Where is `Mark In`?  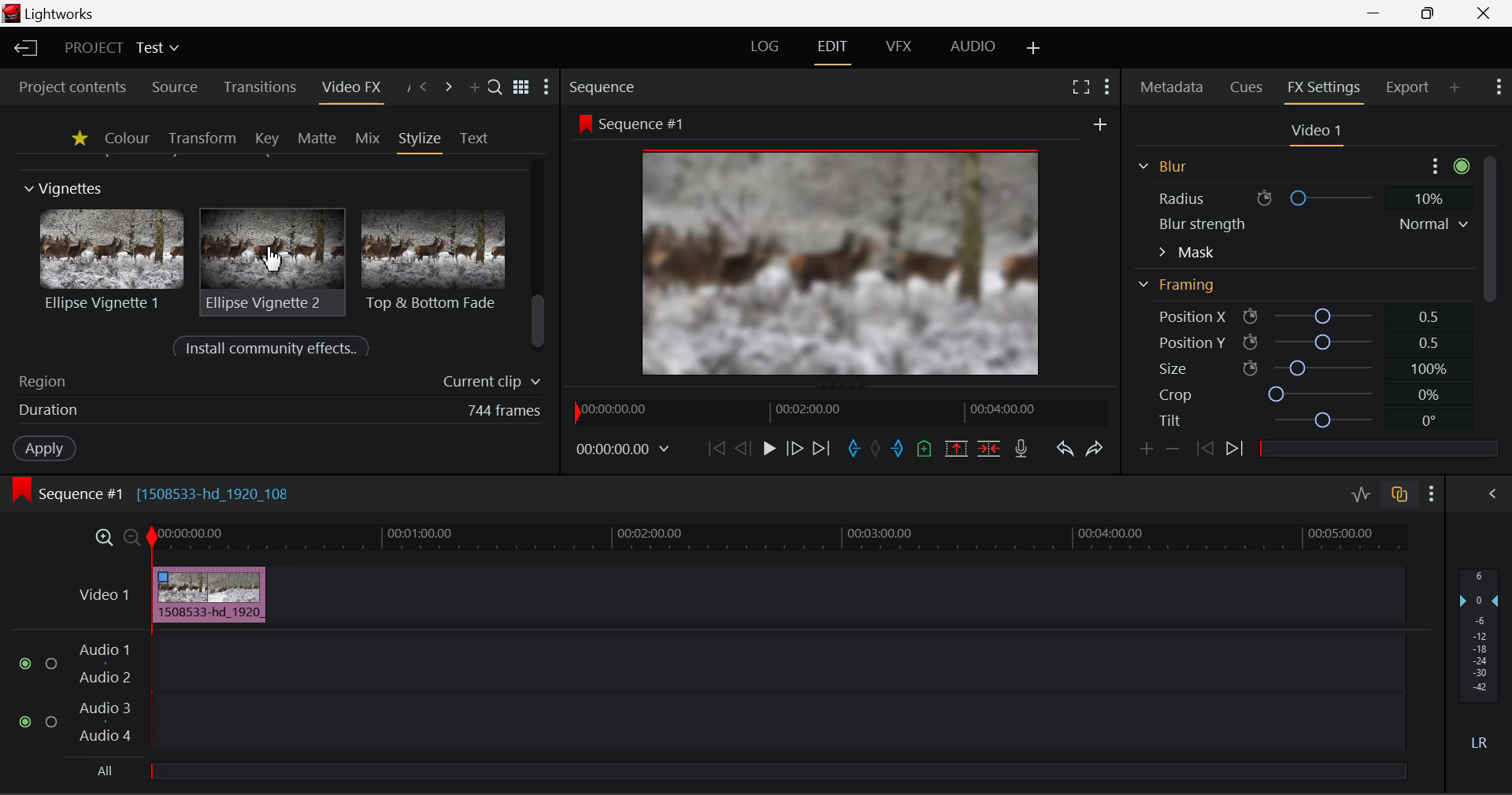 Mark In is located at coordinates (852, 446).